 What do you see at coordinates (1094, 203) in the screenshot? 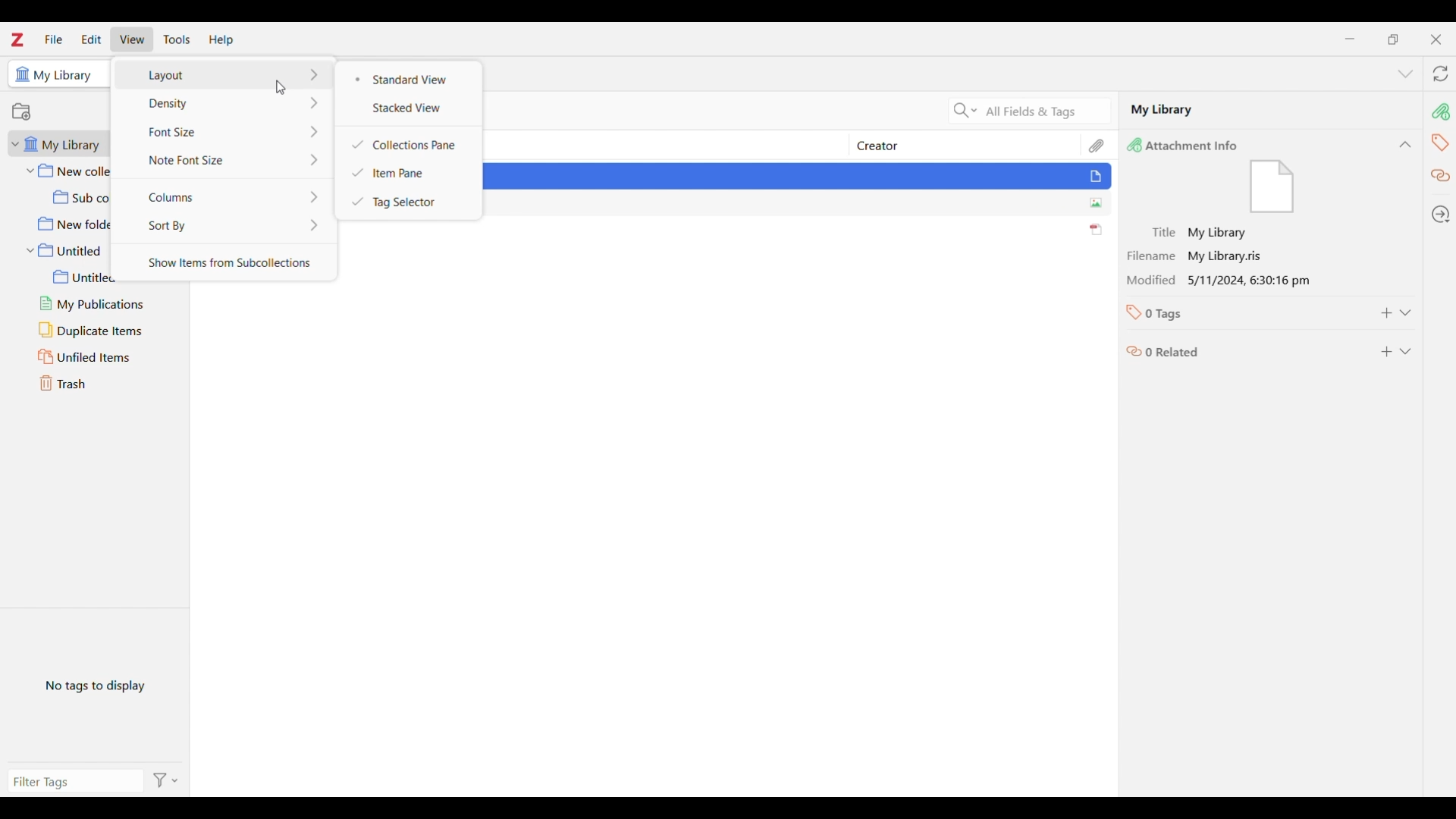
I see `image icon` at bounding box center [1094, 203].